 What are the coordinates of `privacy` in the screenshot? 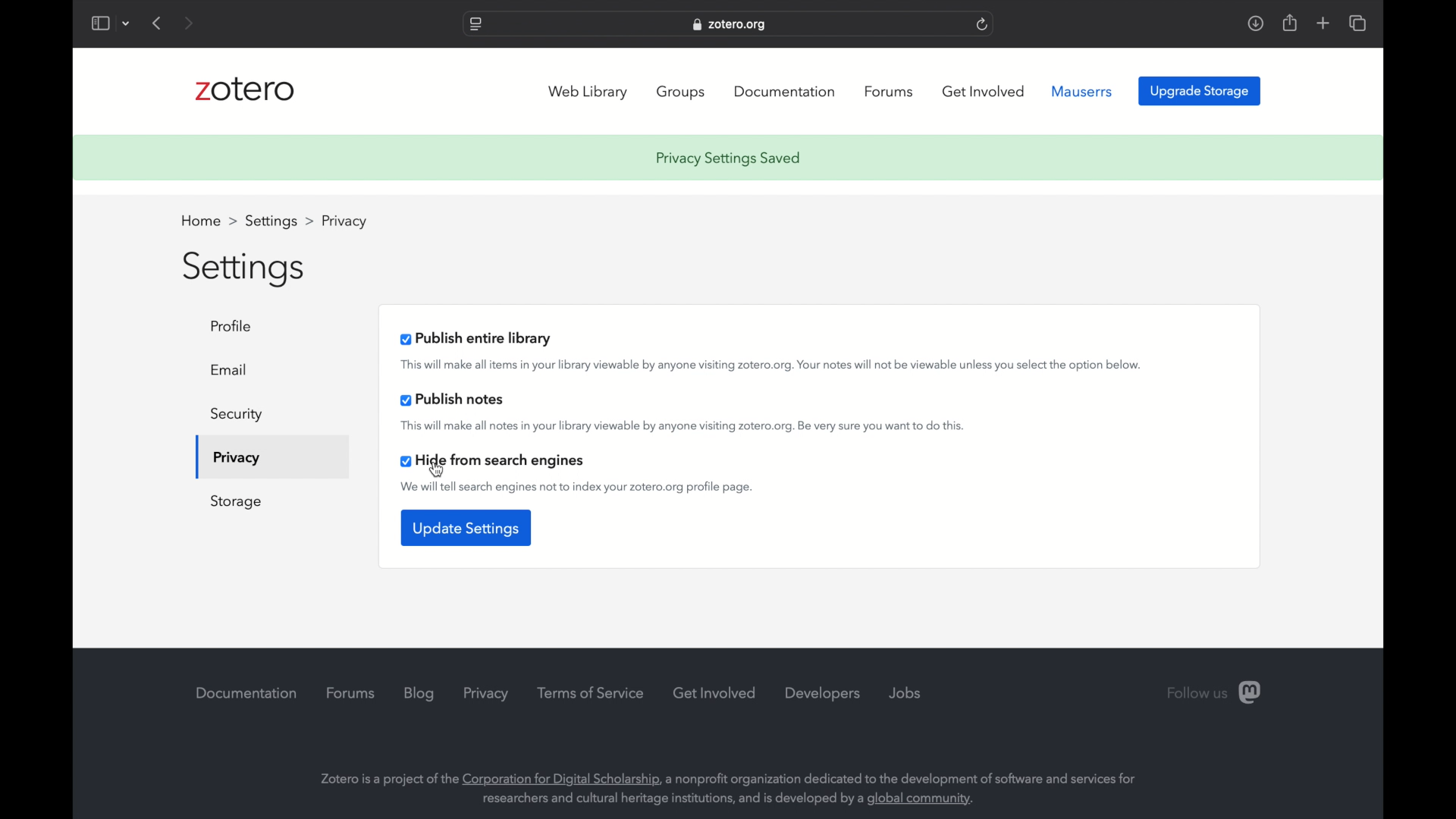 It's located at (237, 458).